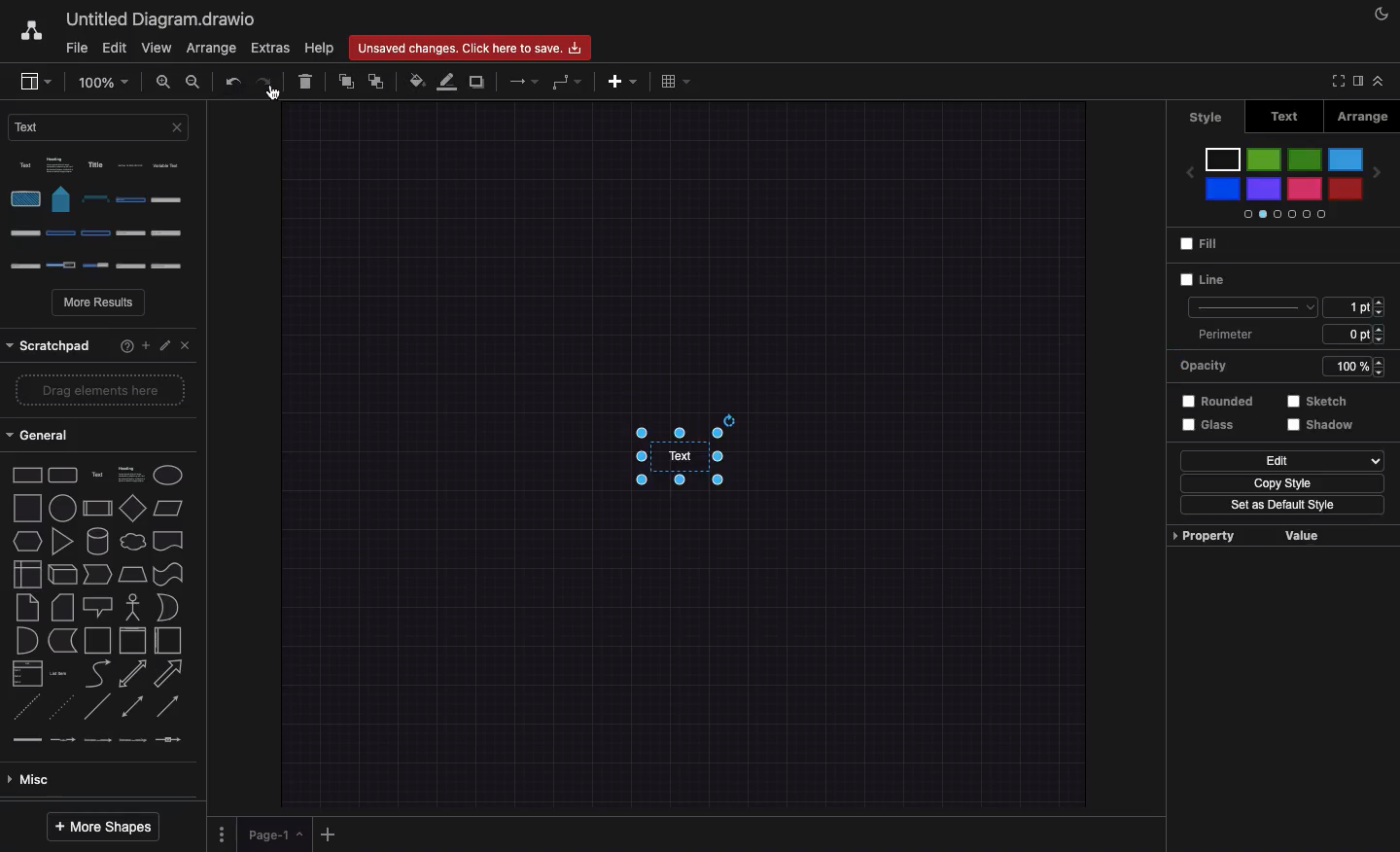 The height and width of the screenshot is (852, 1400). Describe the element at coordinates (1212, 400) in the screenshot. I see `Rounded` at that location.